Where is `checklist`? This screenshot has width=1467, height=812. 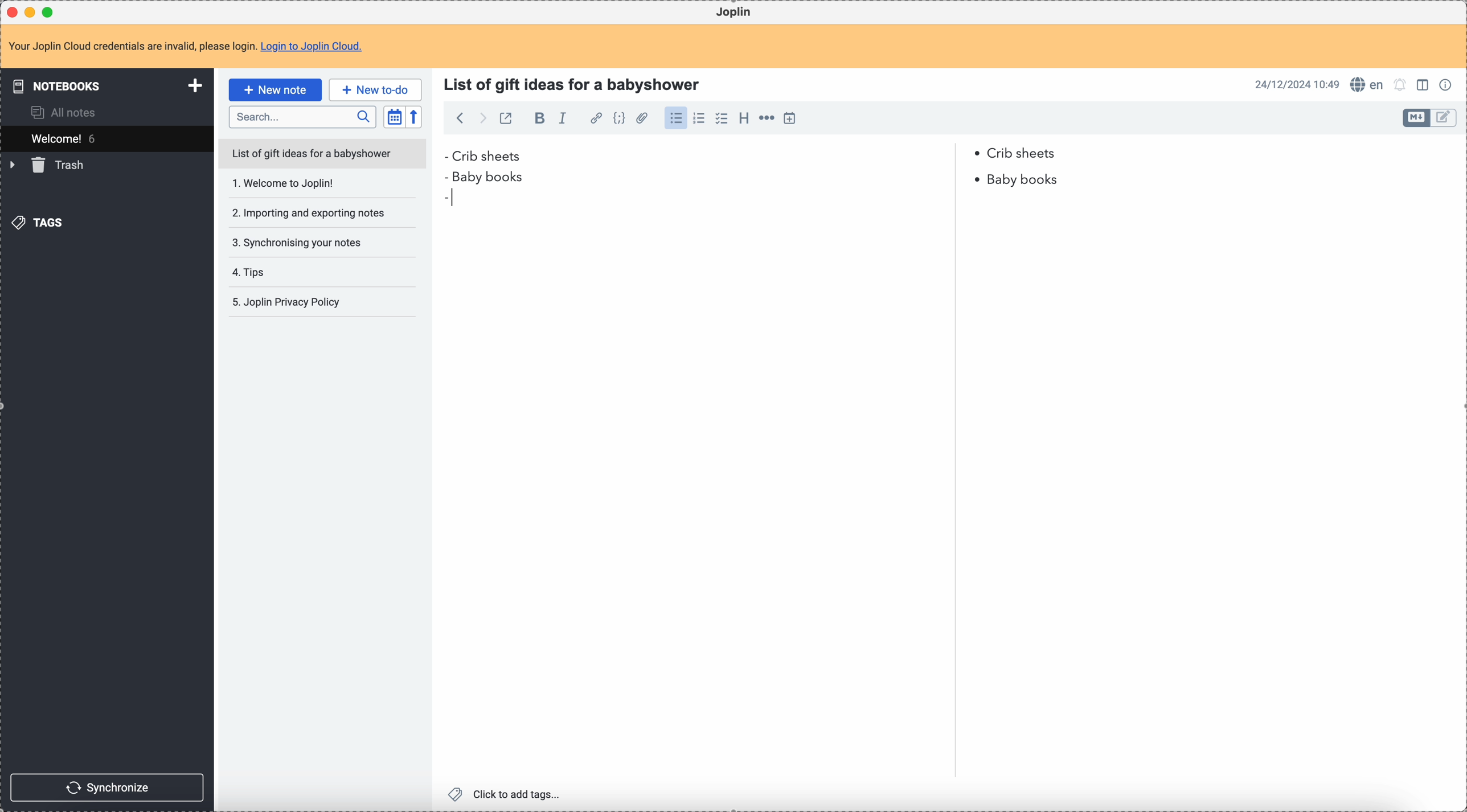 checklist is located at coordinates (722, 119).